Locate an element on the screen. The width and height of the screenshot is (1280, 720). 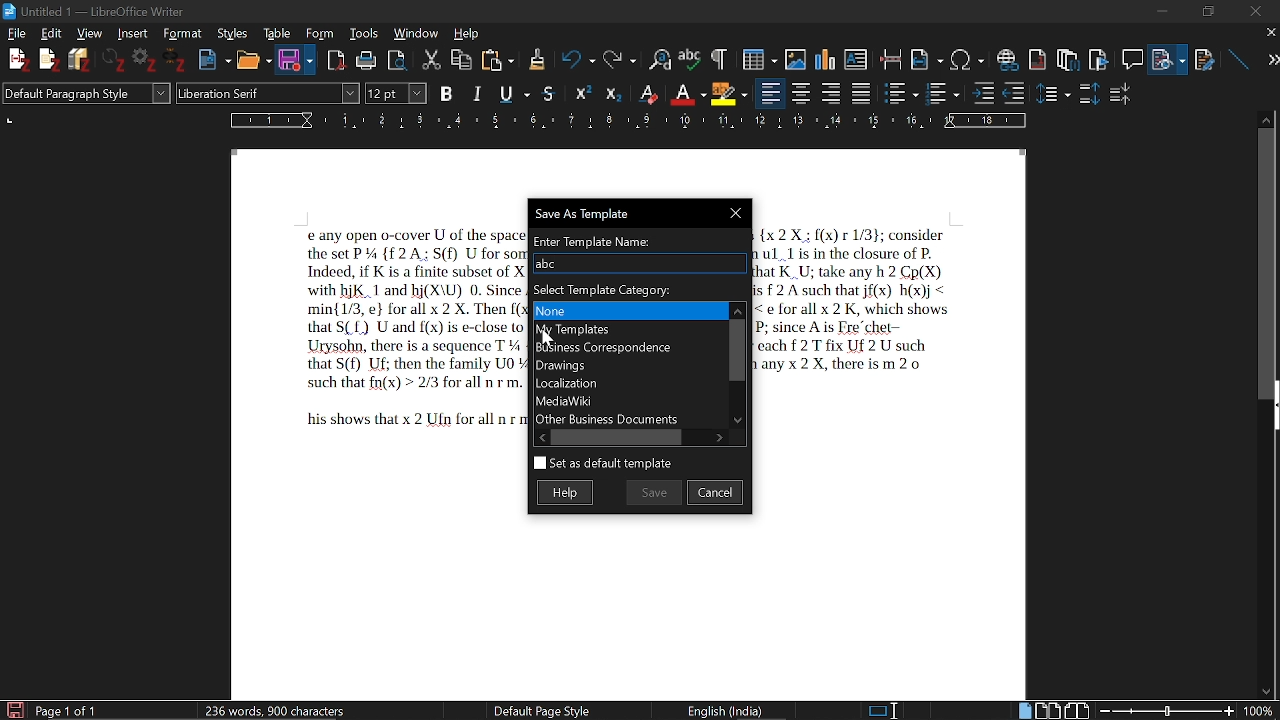
View is located at coordinates (87, 33).